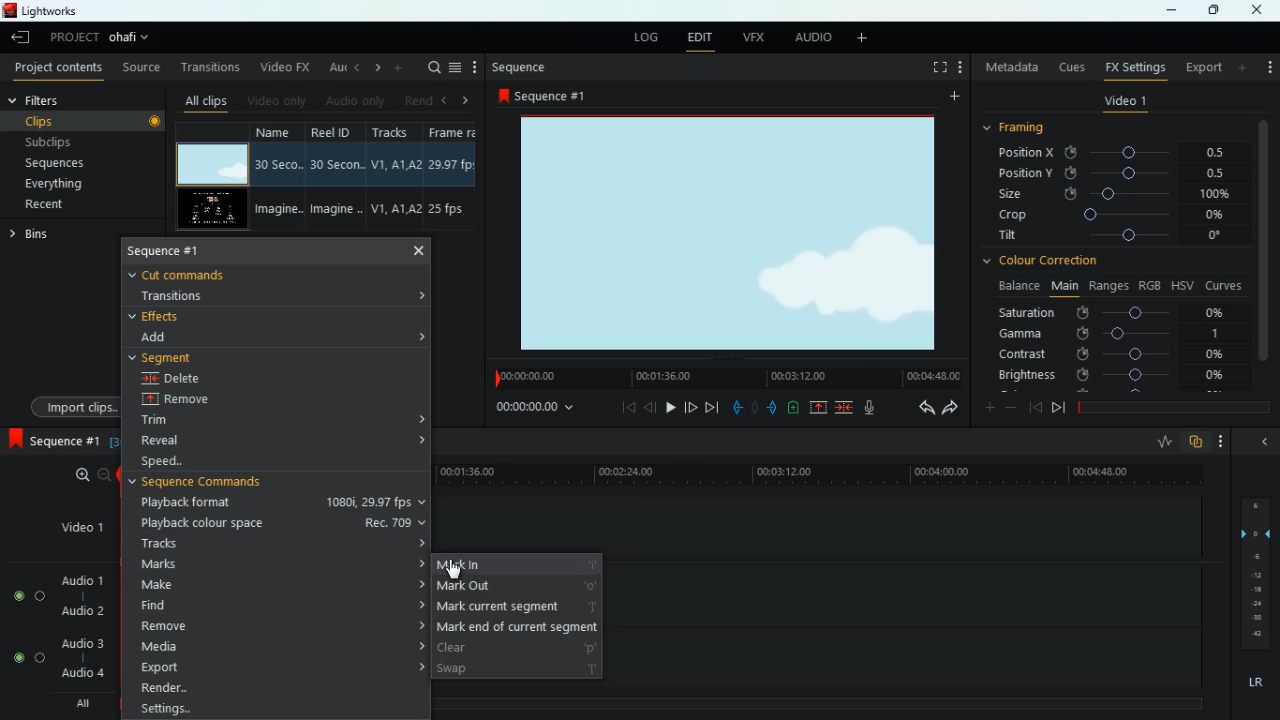 The width and height of the screenshot is (1280, 720). Describe the element at coordinates (1253, 683) in the screenshot. I see `lr` at that location.